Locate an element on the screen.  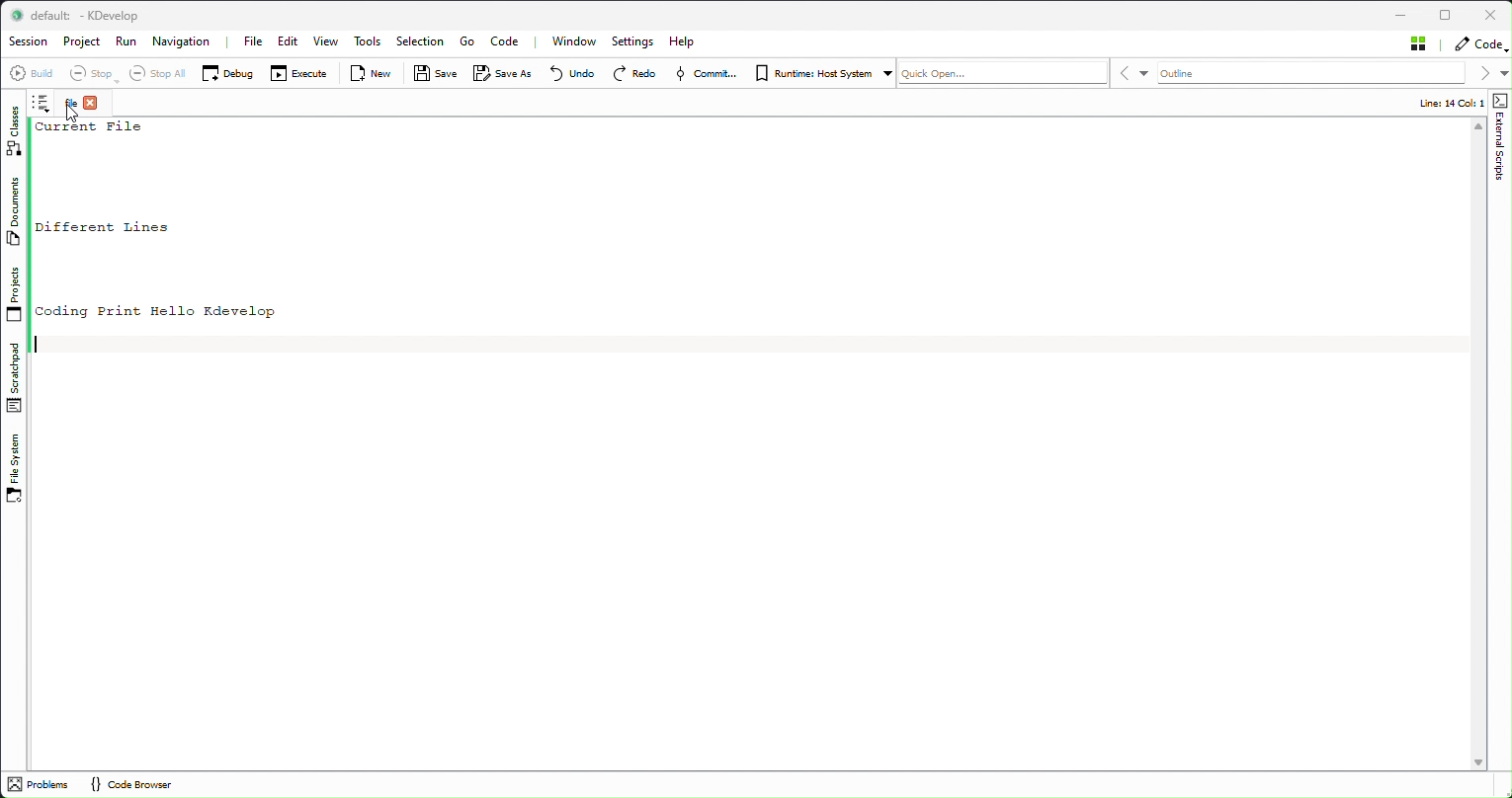
Runtime is located at coordinates (824, 73).